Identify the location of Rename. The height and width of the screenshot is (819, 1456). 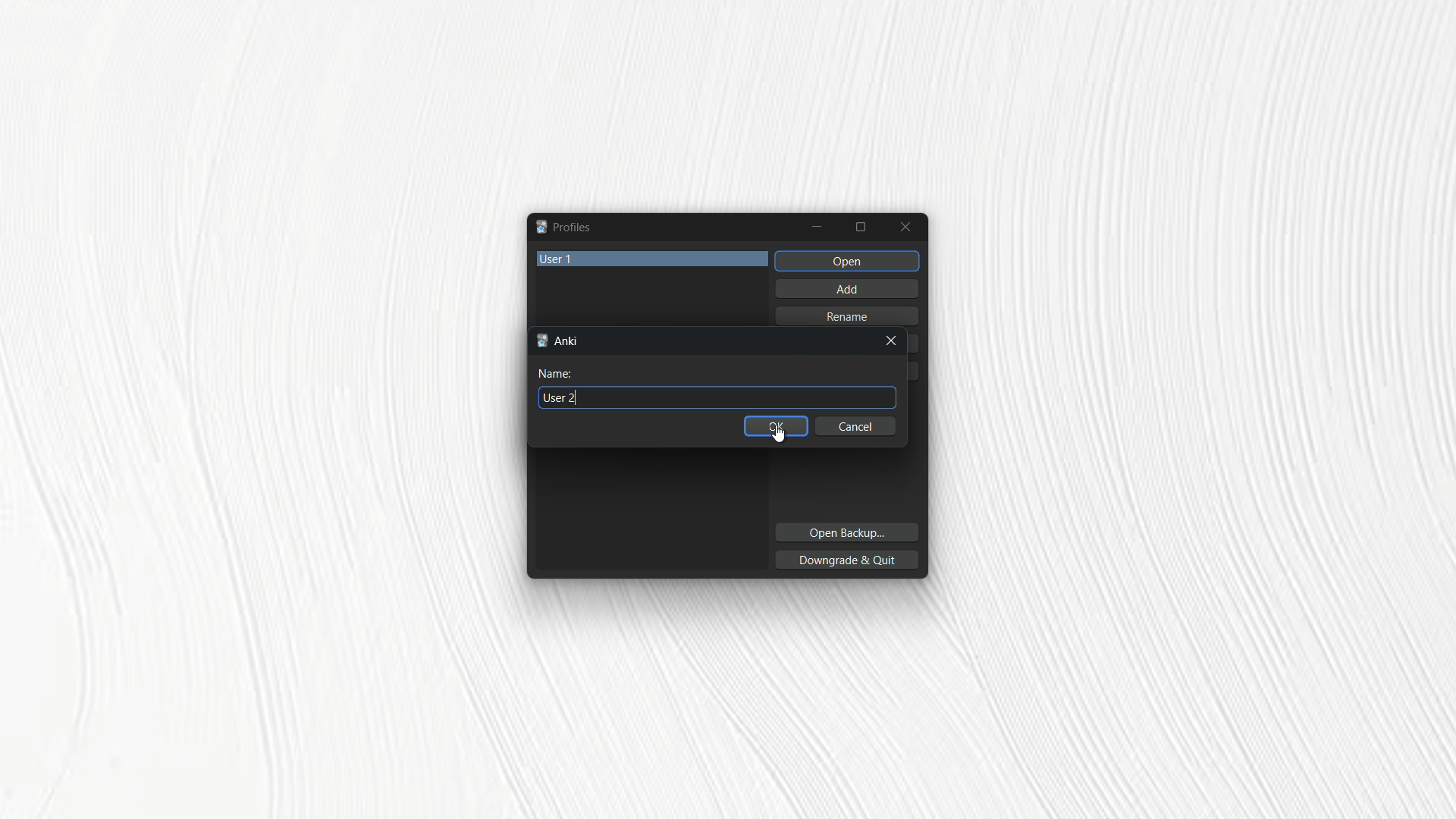
(852, 315).